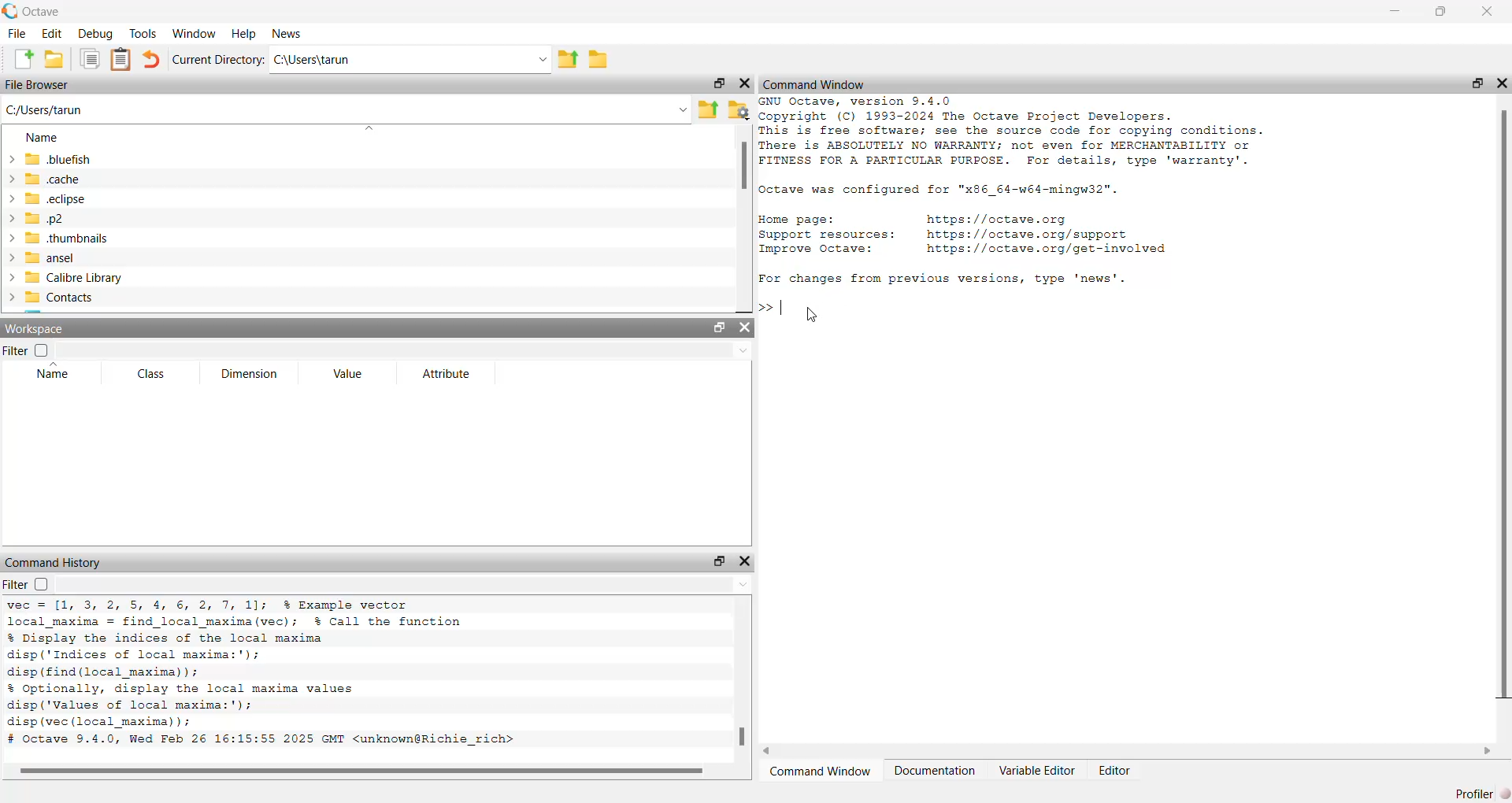  I want to click on close, so click(1485, 12).